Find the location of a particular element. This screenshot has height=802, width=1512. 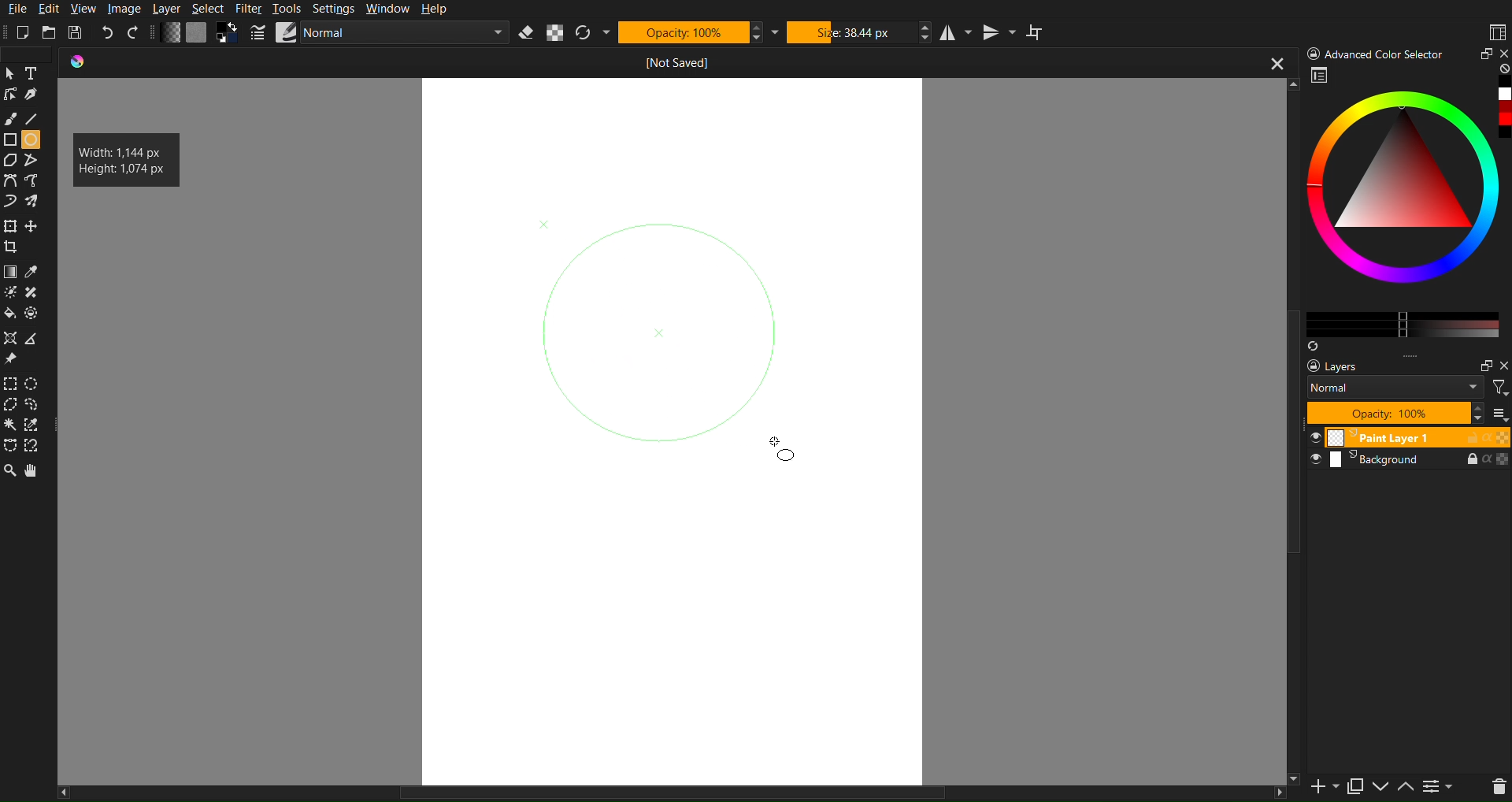

Opacity 100% is located at coordinates (1396, 412).